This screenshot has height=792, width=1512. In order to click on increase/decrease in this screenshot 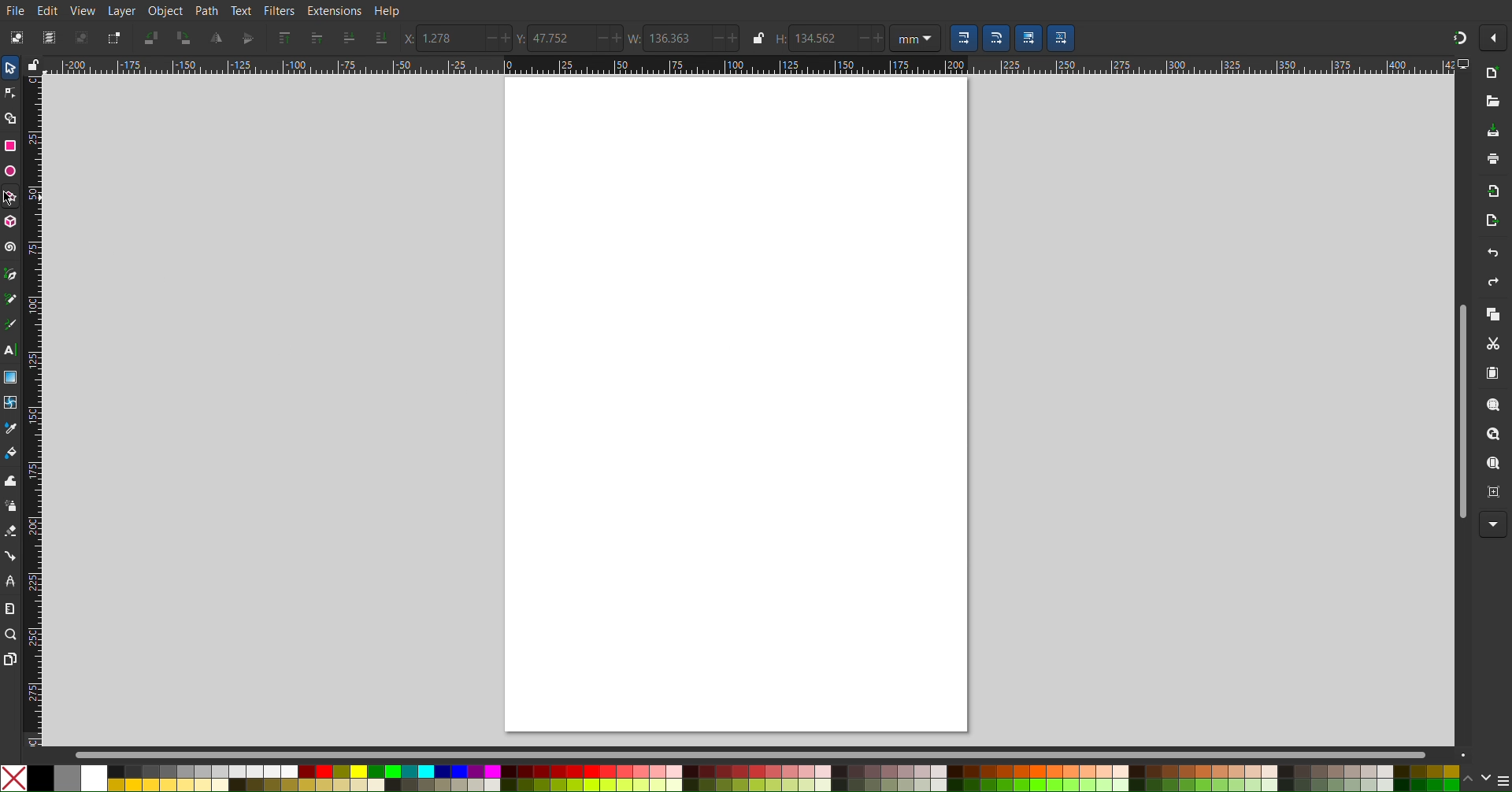, I will do `click(871, 37)`.